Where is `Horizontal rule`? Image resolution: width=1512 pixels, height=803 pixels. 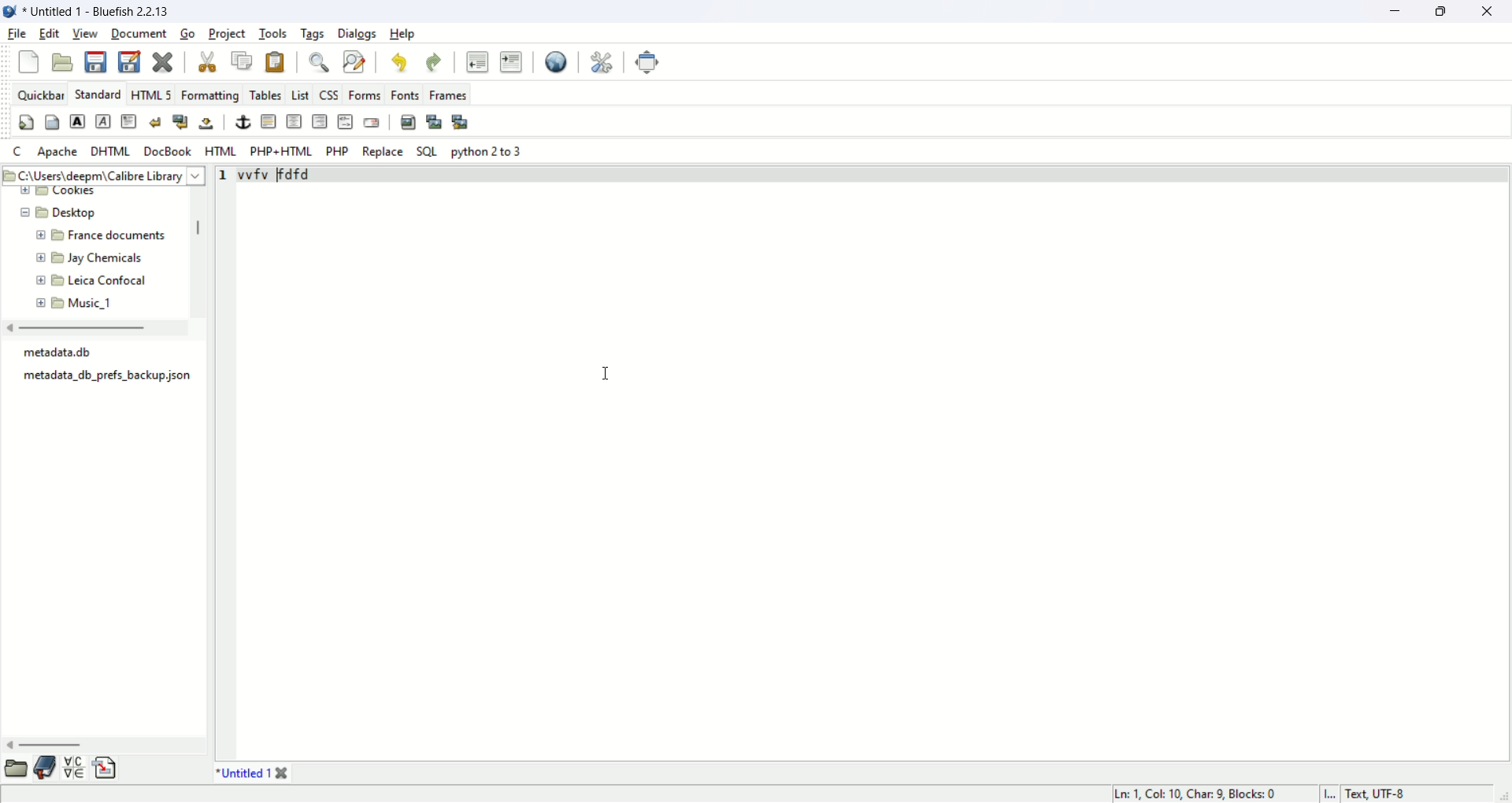
Horizontal rule is located at coordinates (270, 120).